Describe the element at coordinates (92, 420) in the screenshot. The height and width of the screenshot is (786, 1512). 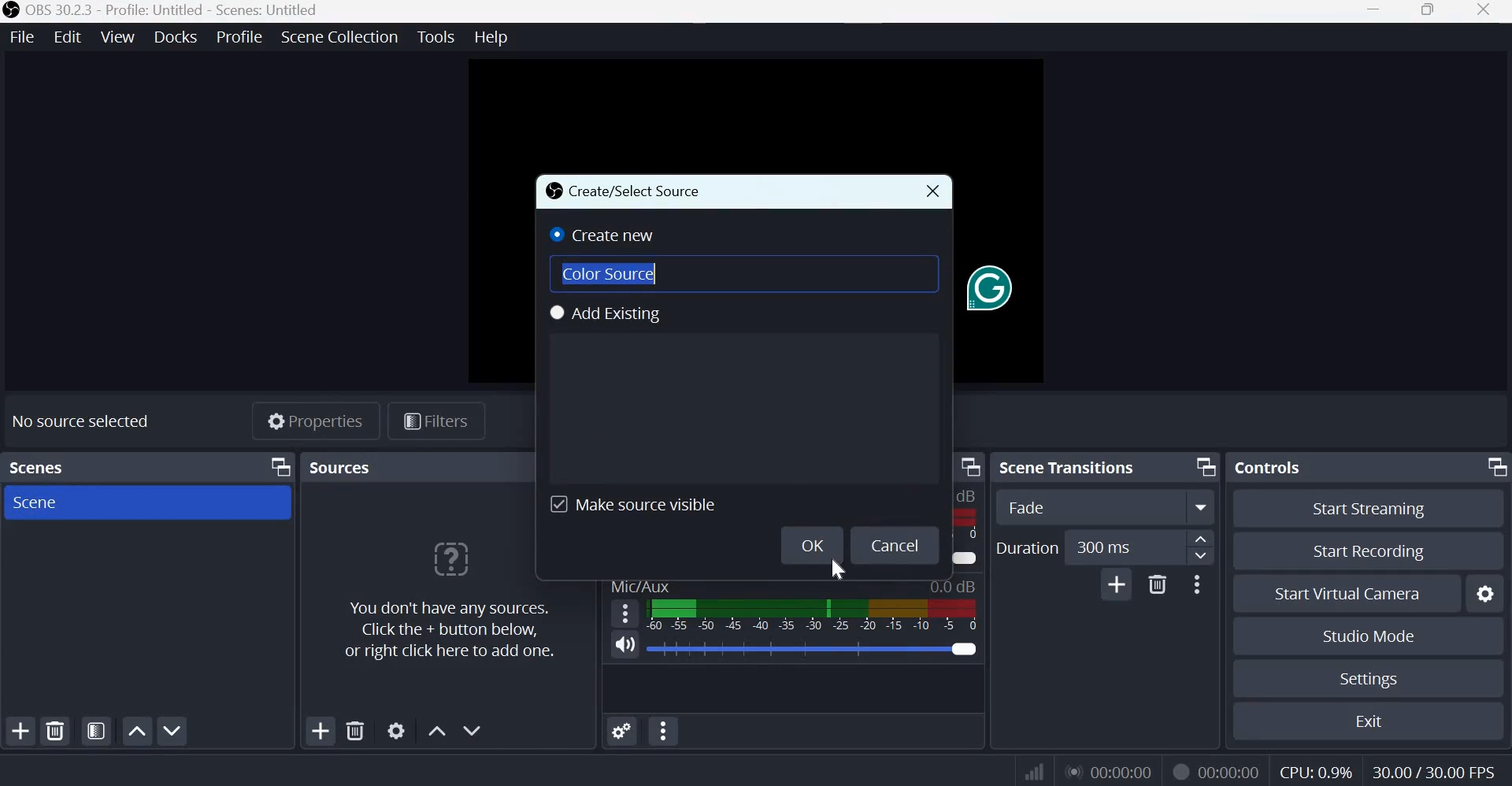
I see `No source selected` at that location.